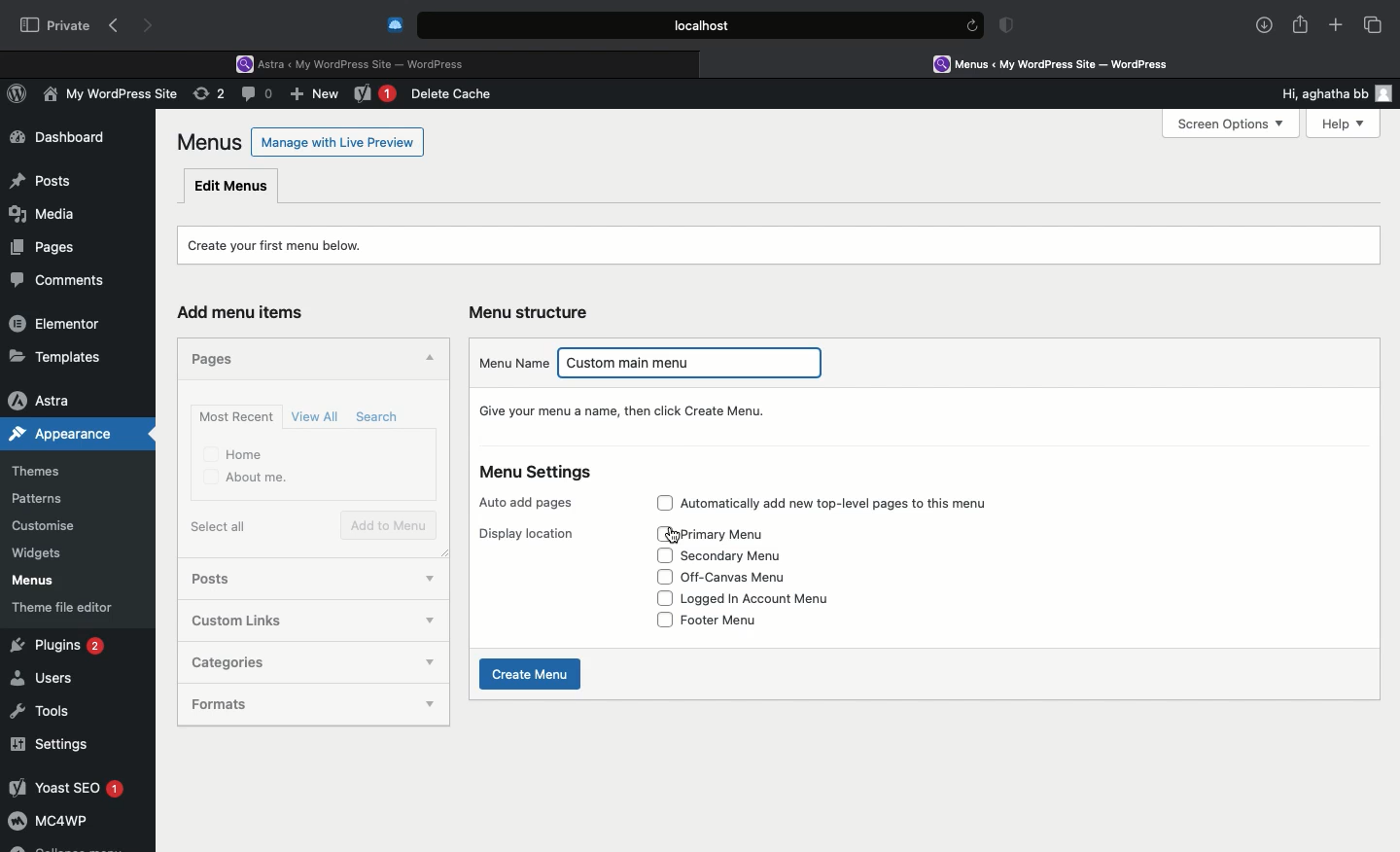 The image size is (1400, 852). I want to click on Screen Options, so click(1229, 124).